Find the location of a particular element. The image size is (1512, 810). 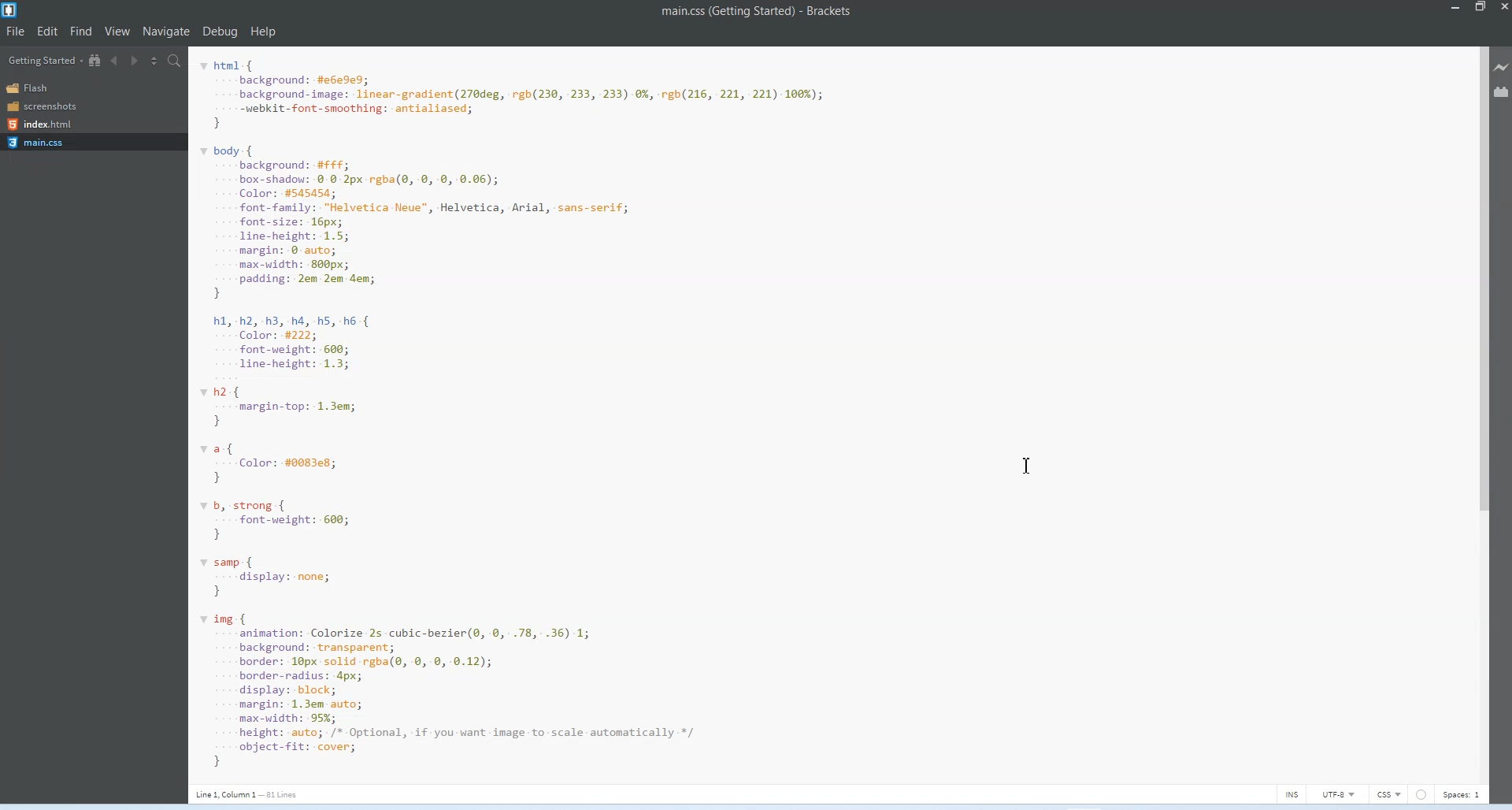

Edit is located at coordinates (49, 31).